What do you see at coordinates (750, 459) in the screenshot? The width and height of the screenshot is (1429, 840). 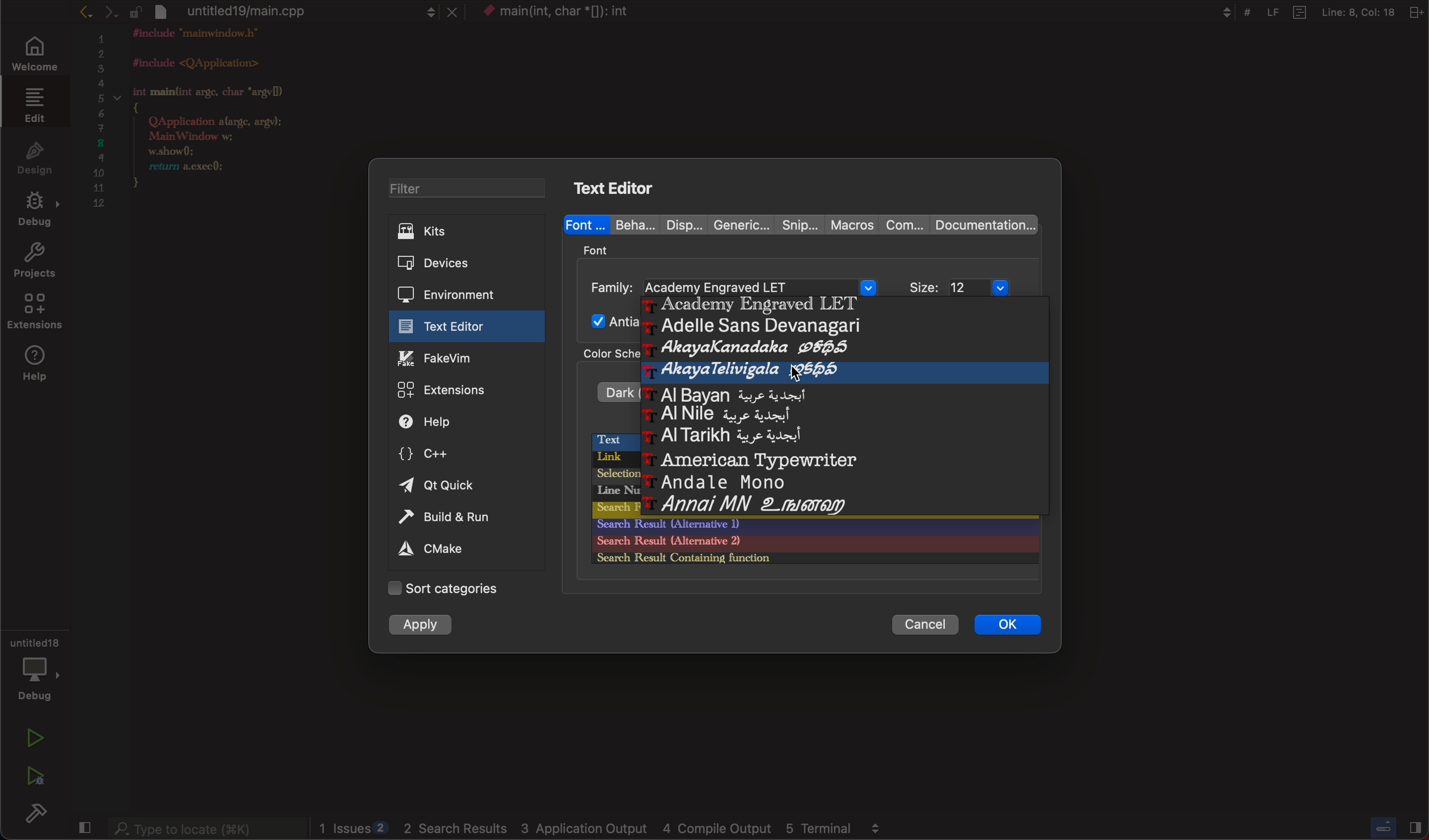 I see `American typewriter` at bounding box center [750, 459].